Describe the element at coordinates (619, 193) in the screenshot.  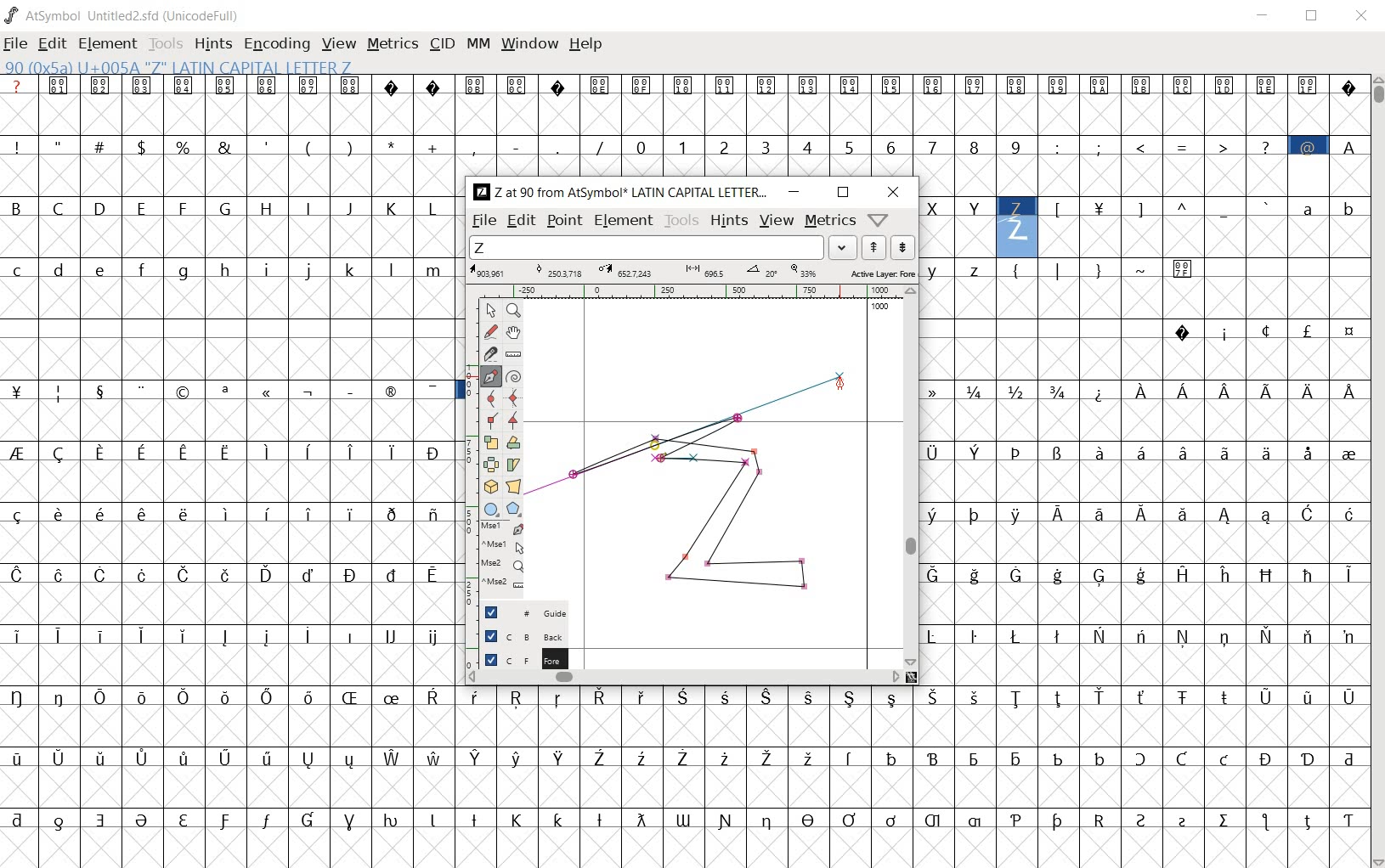
I see `Z at 90 from AtSymbol* LATIN CAPITAL LETTER...` at that location.